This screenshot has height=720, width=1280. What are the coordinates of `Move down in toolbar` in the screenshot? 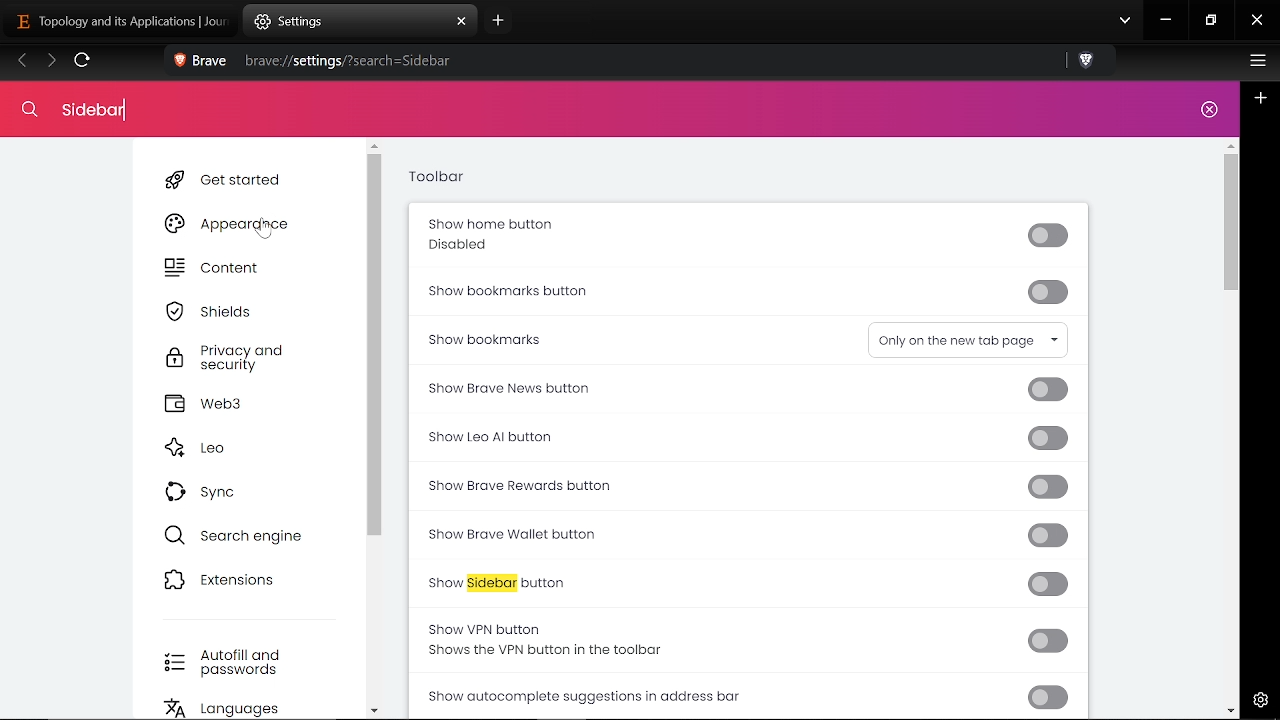 It's located at (1230, 710).